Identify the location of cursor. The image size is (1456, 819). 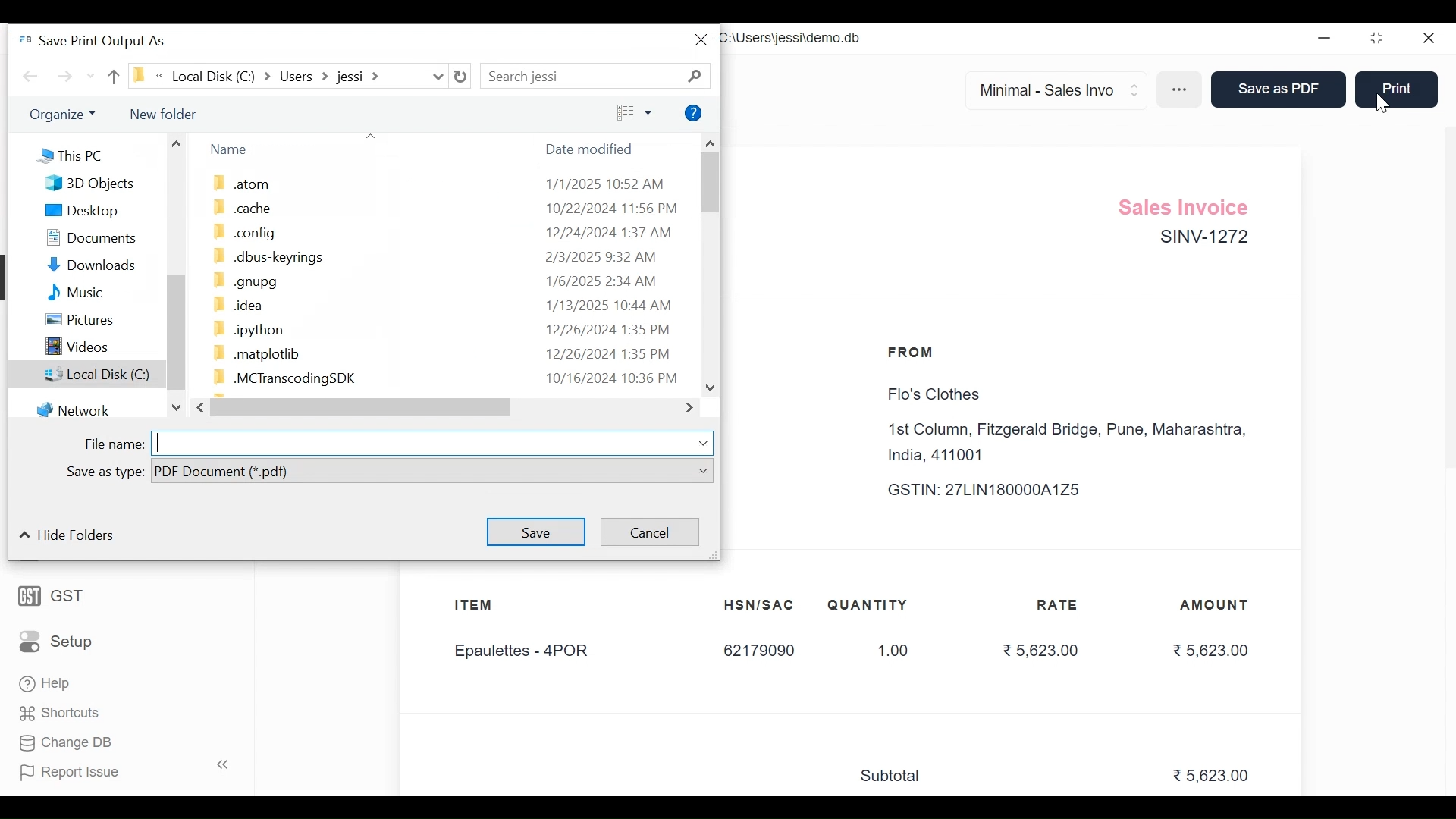
(1392, 104).